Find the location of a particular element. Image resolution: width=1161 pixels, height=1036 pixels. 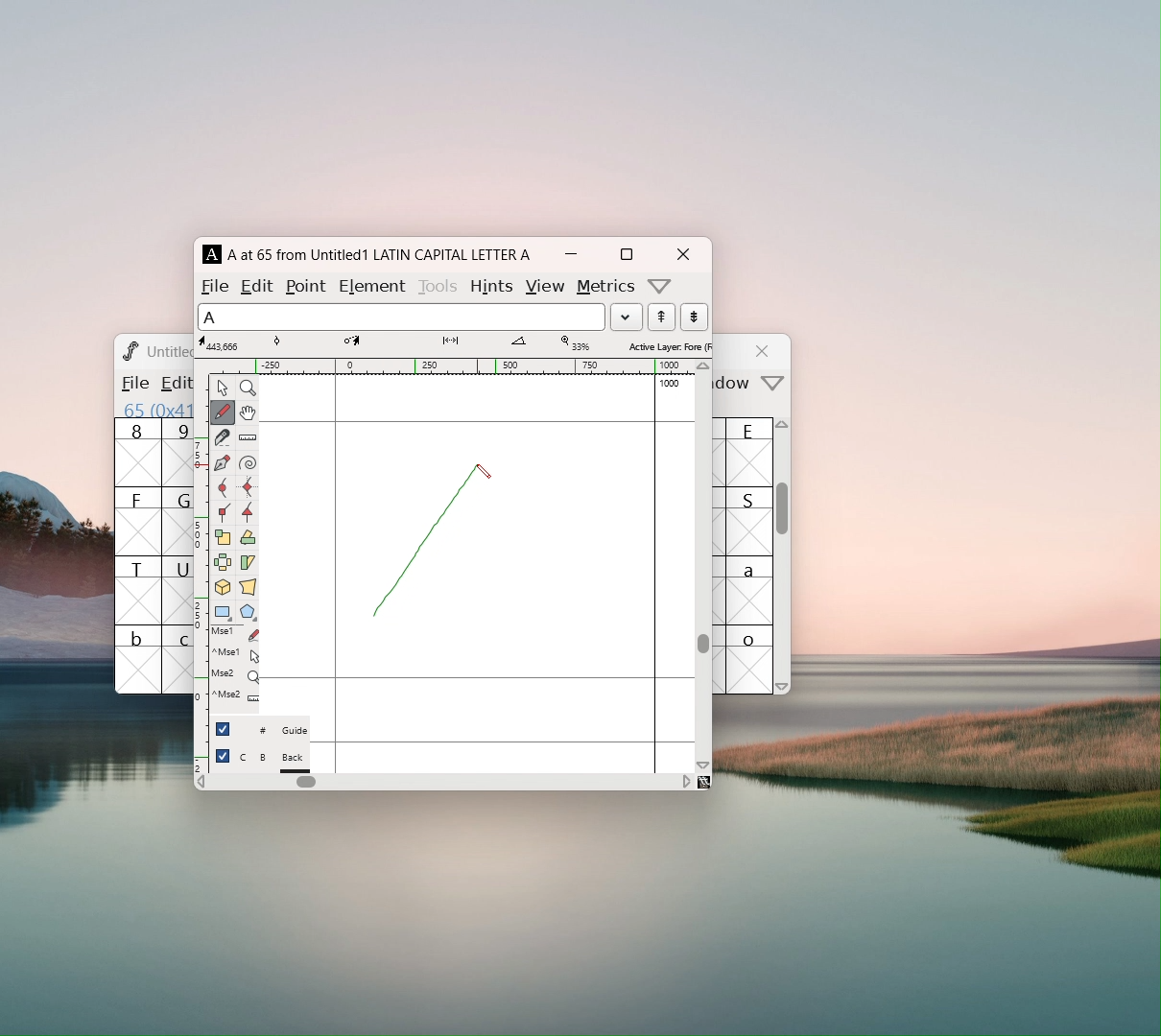

tools is located at coordinates (439, 284).